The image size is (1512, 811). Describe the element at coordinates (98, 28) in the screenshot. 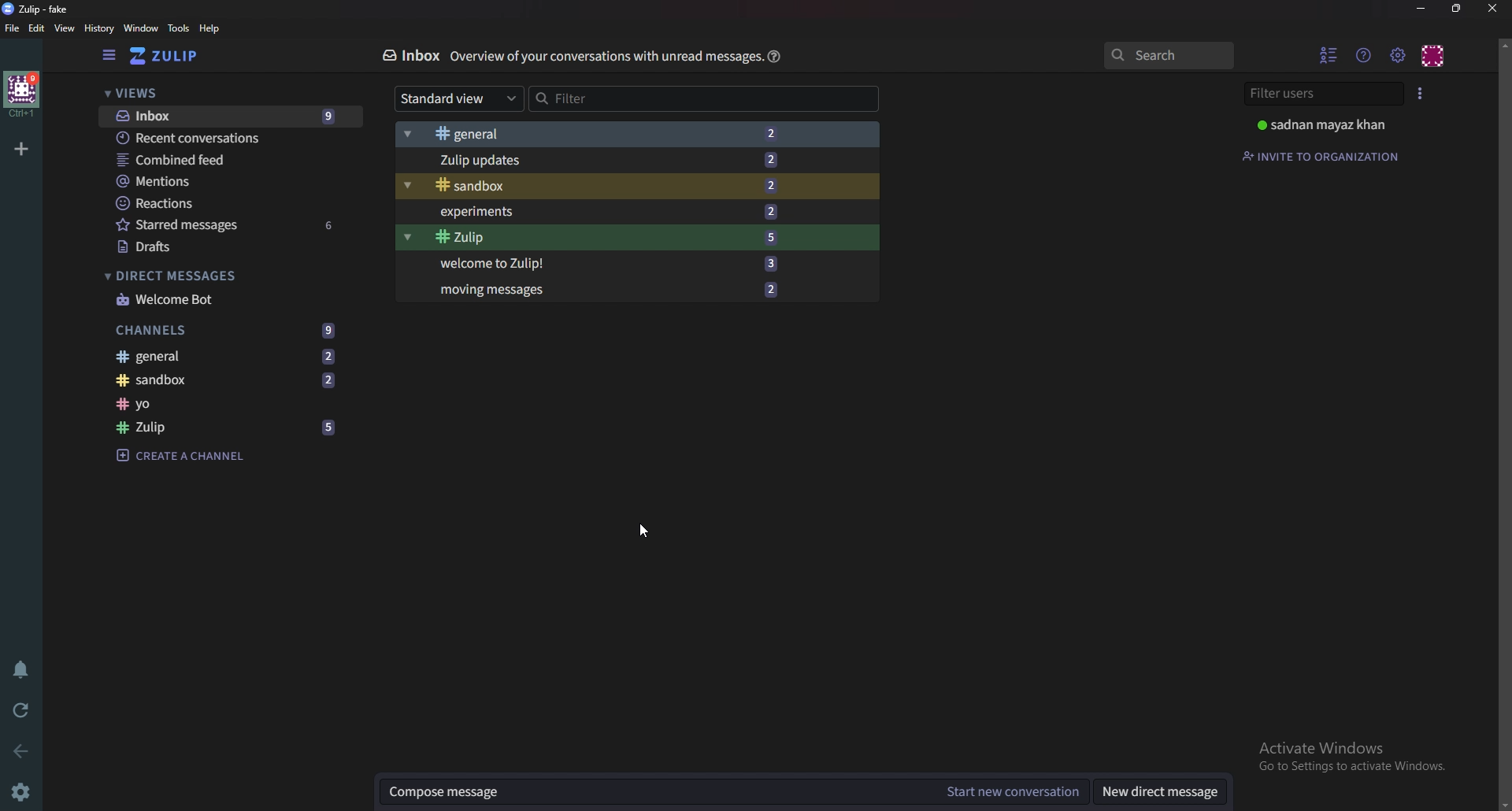

I see `History` at that location.